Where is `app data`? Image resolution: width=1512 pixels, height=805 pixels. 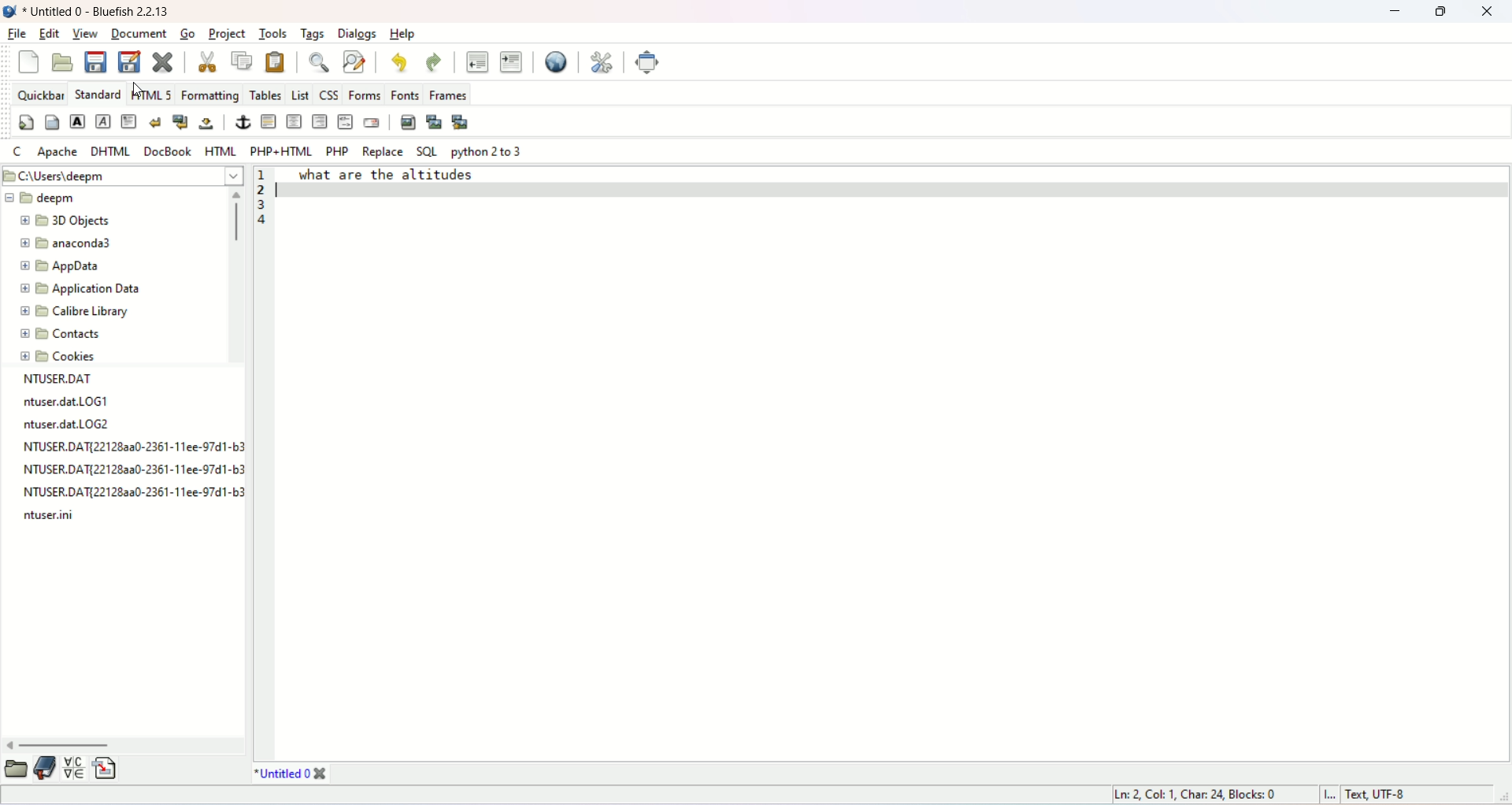 app data is located at coordinates (62, 268).